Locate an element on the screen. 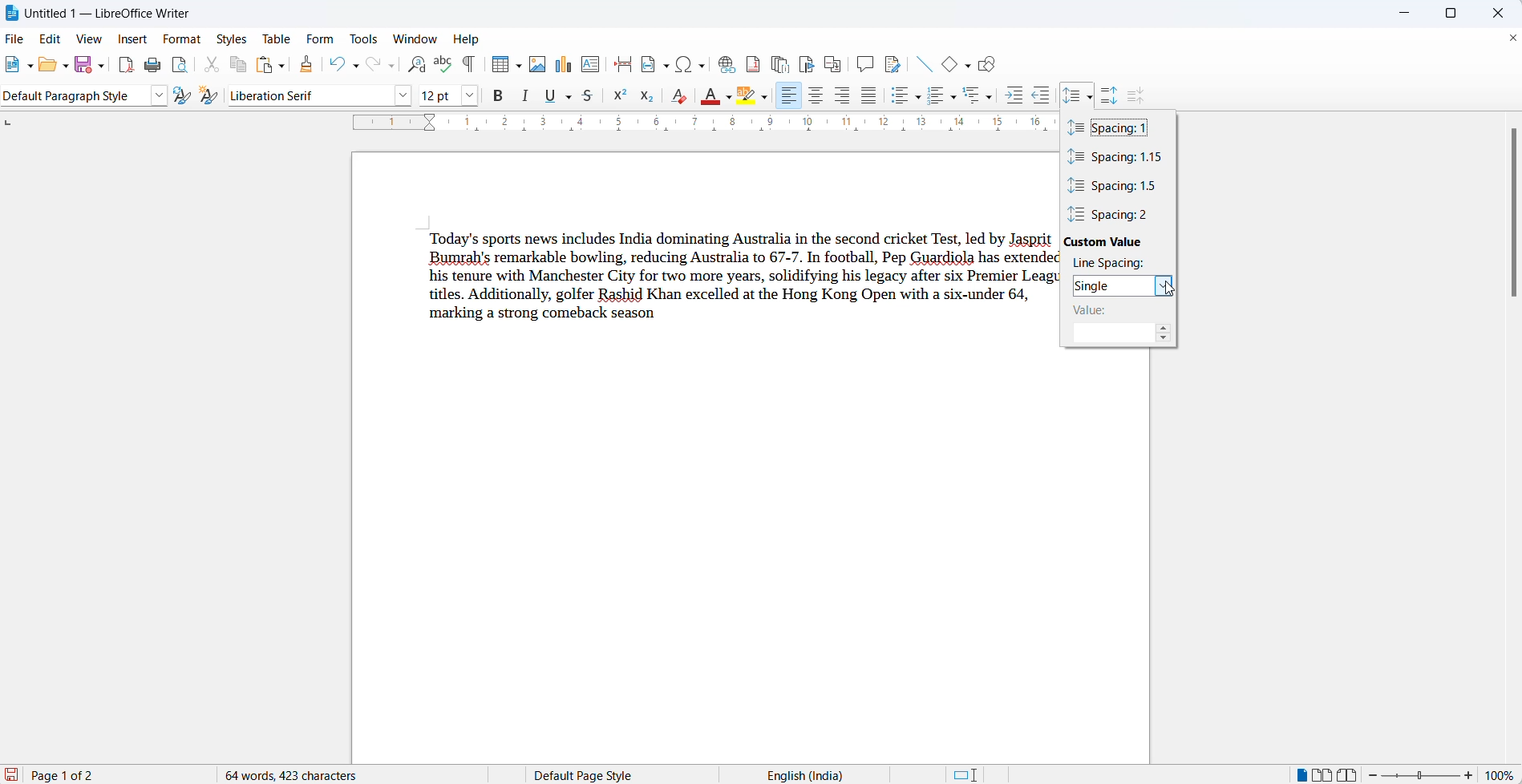 The width and height of the screenshot is (1522, 784). increase indent is located at coordinates (1014, 95).